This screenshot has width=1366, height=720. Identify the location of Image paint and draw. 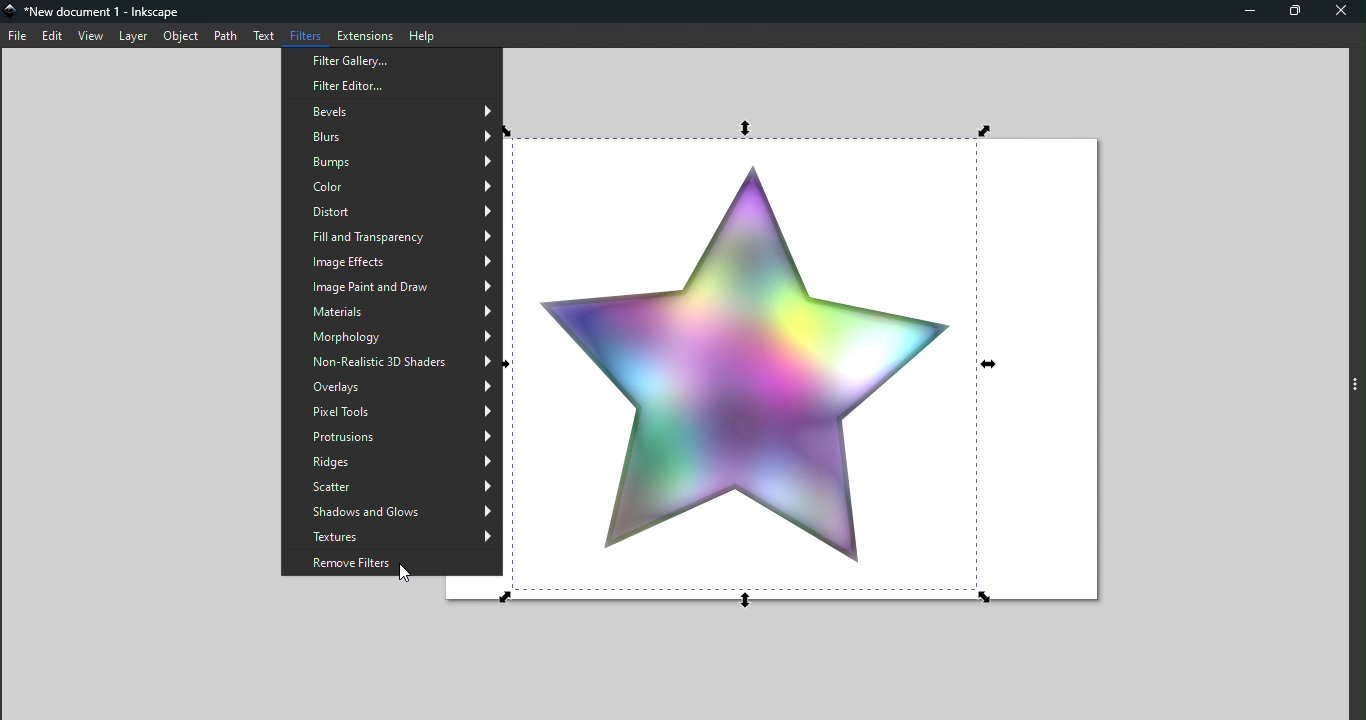
(392, 286).